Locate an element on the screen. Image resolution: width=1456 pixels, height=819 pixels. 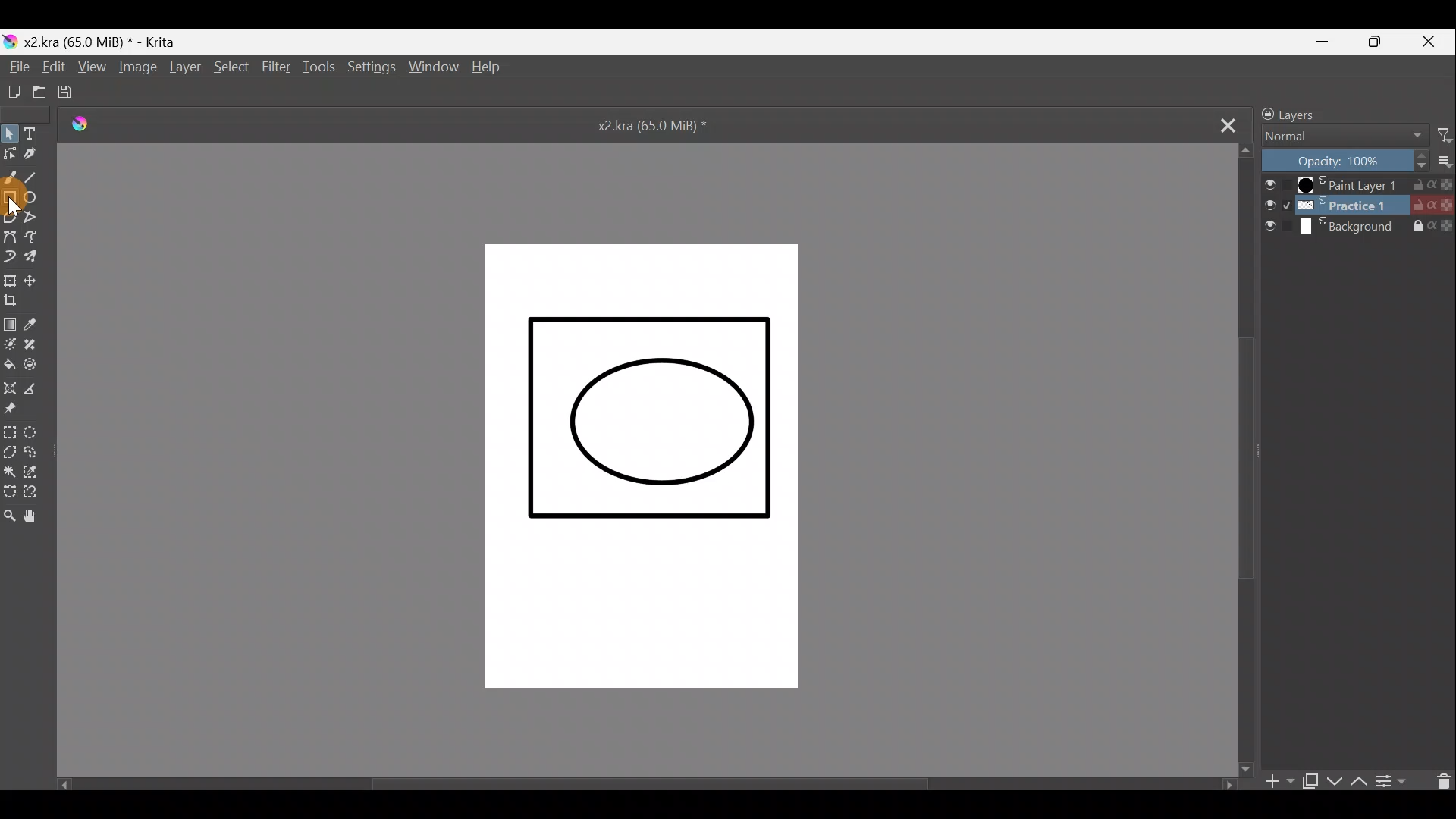
Rectangular selection tool is located at coordinates (11, 434).